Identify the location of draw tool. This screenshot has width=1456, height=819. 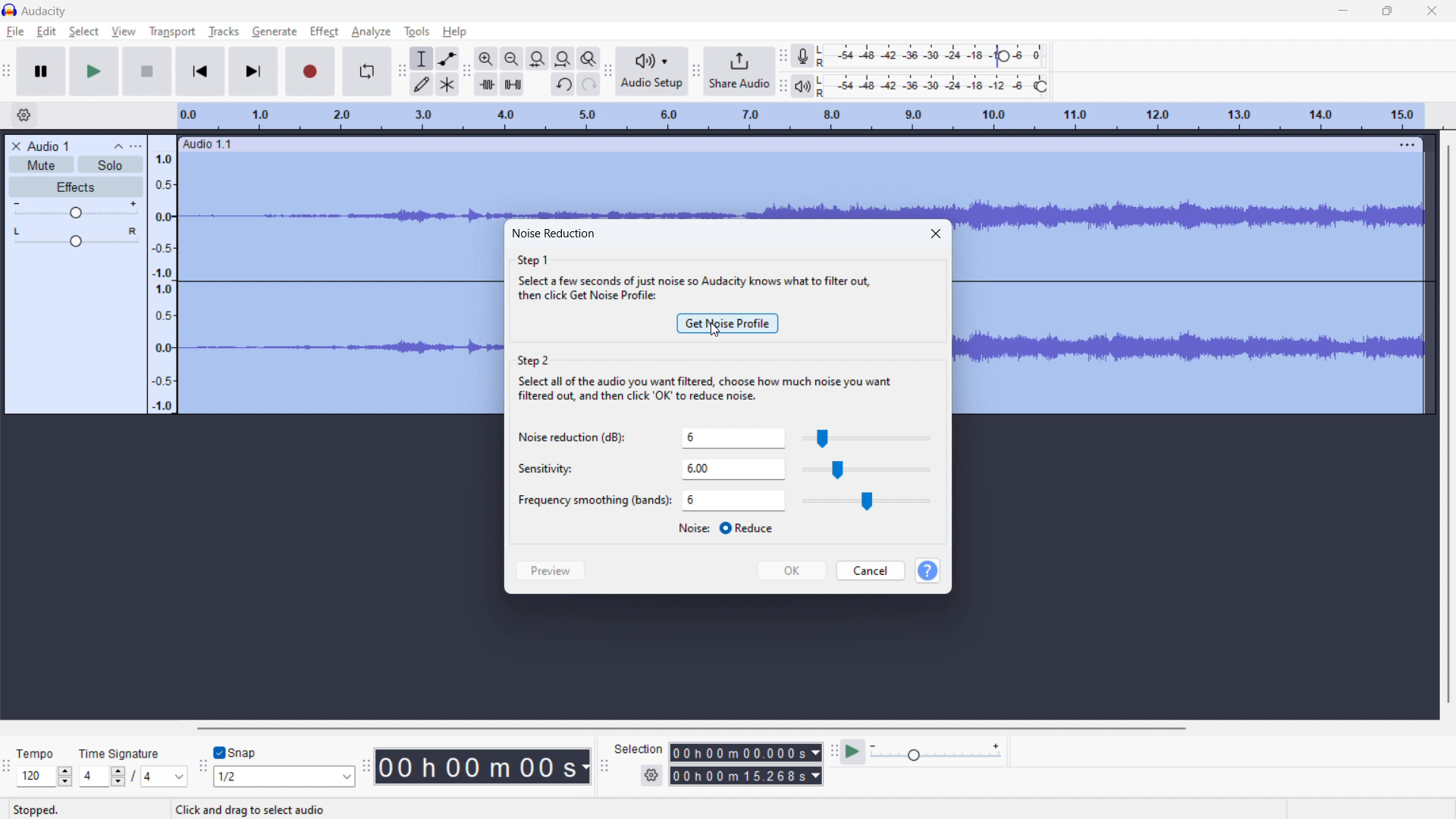
(422, 83).